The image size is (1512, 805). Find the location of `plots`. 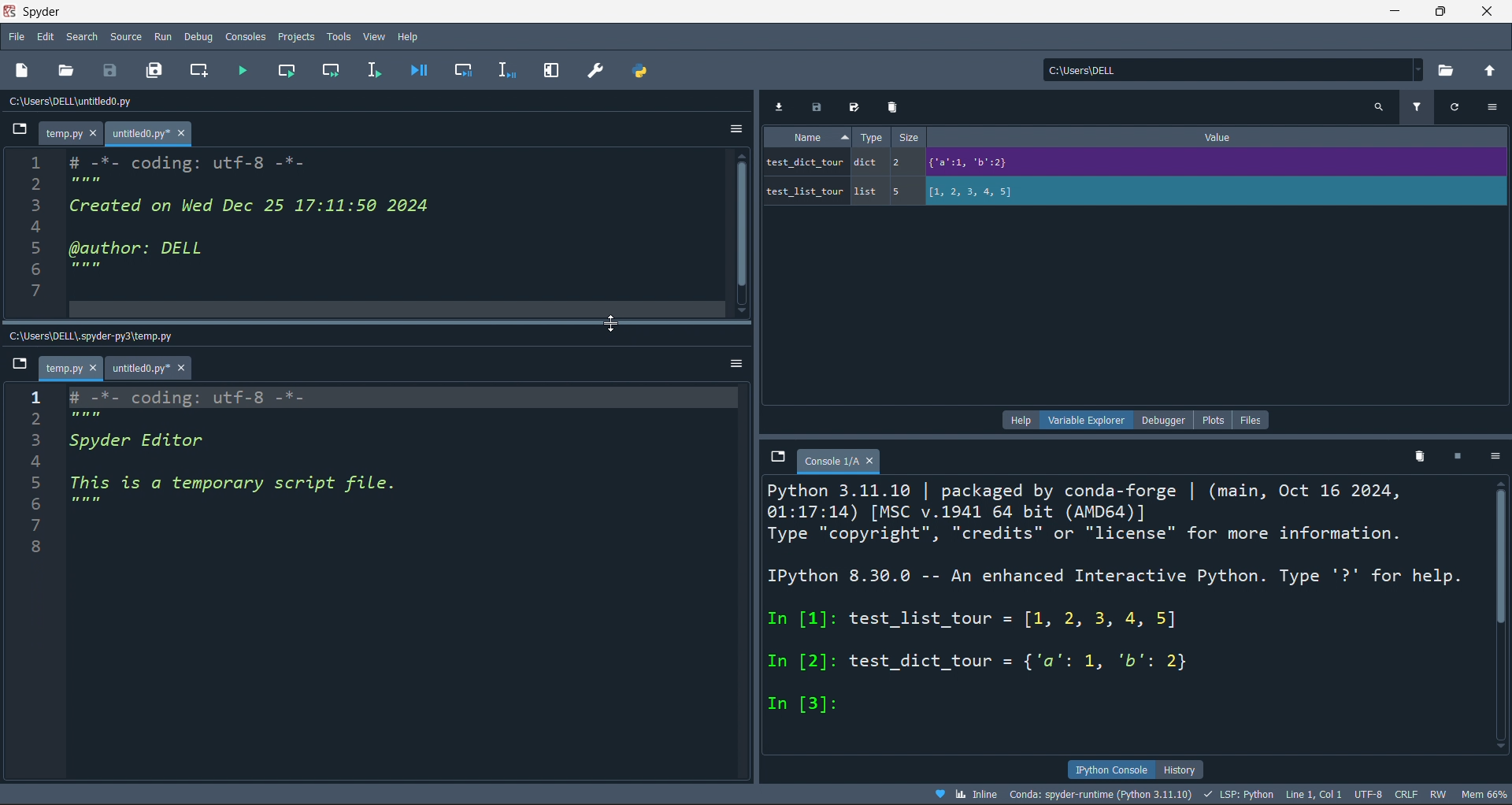

plots is located at coordinates (1212, 418).